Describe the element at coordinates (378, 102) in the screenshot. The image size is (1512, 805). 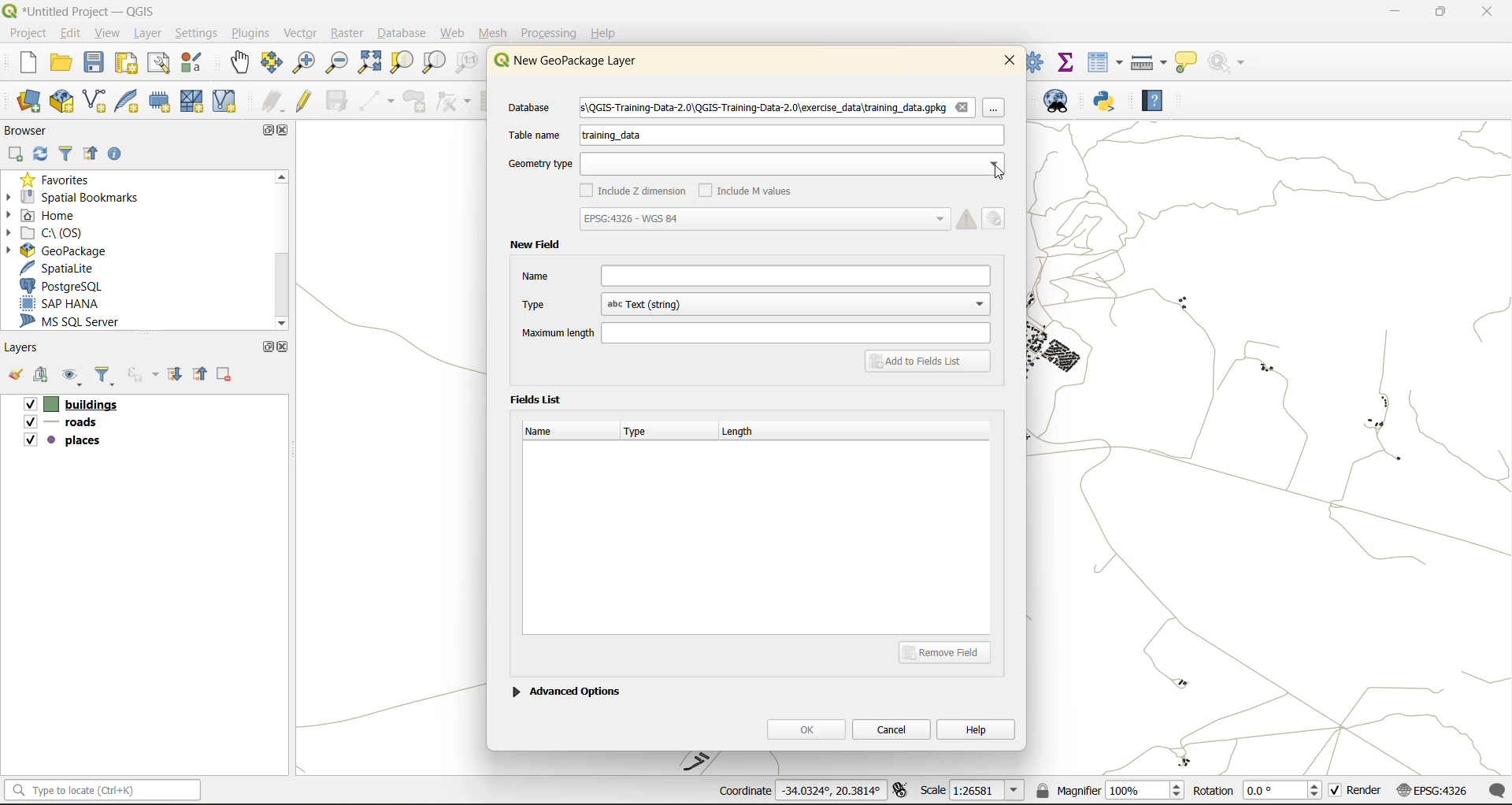
I see `digitize` at that location.